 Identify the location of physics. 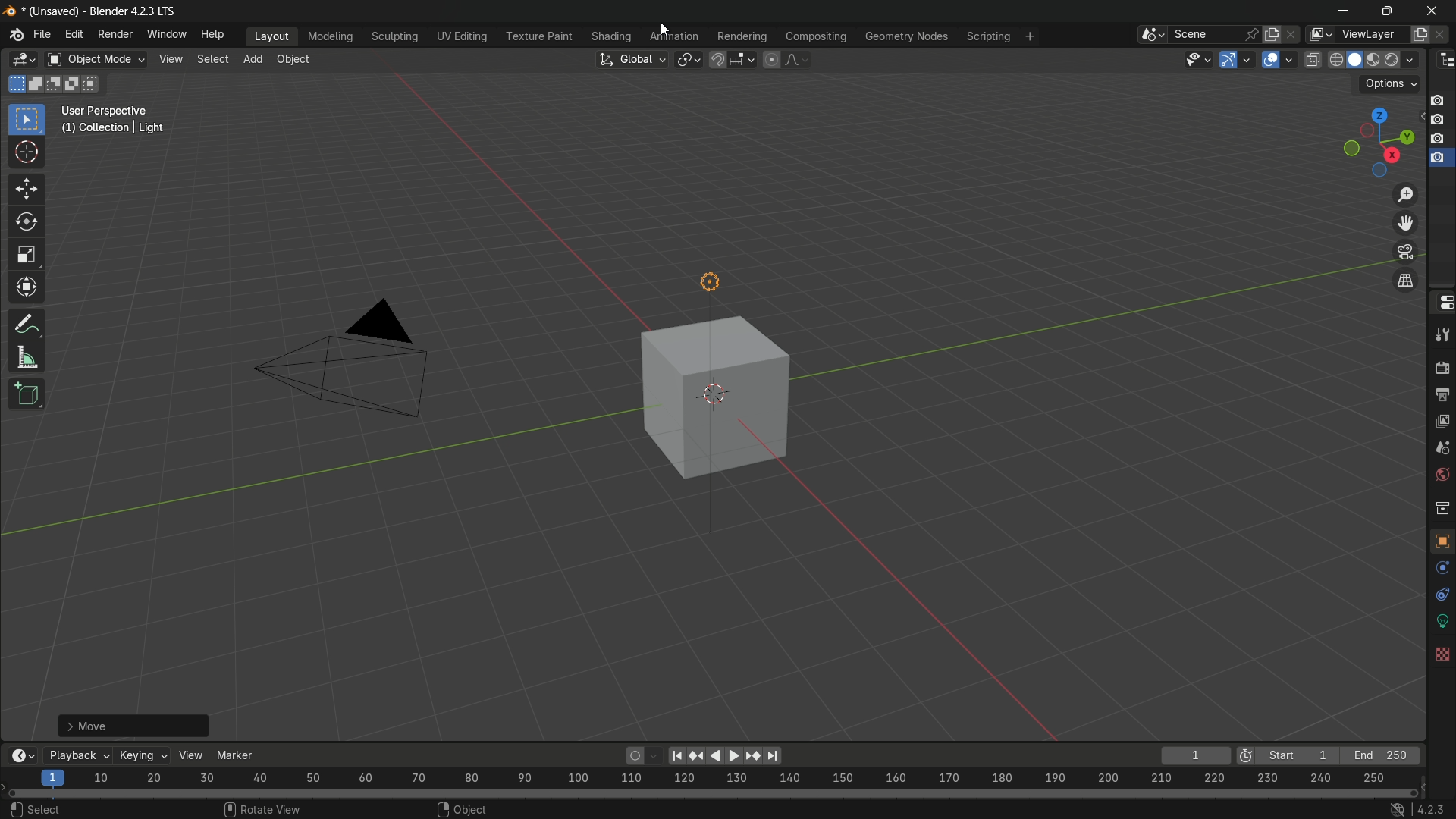
(1439, 623).